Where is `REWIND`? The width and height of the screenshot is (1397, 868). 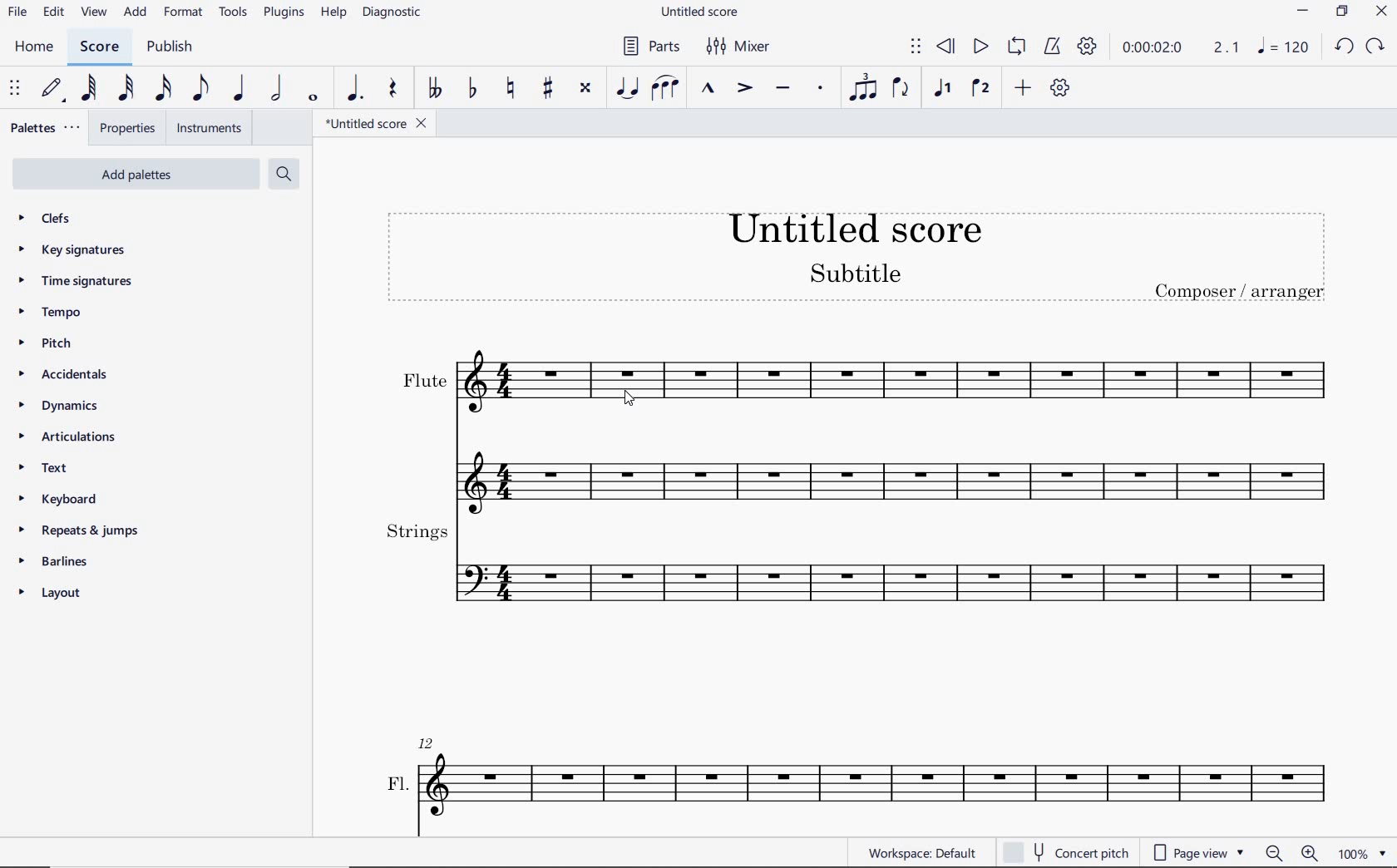
REWIND is located at coordinates (946, 47).